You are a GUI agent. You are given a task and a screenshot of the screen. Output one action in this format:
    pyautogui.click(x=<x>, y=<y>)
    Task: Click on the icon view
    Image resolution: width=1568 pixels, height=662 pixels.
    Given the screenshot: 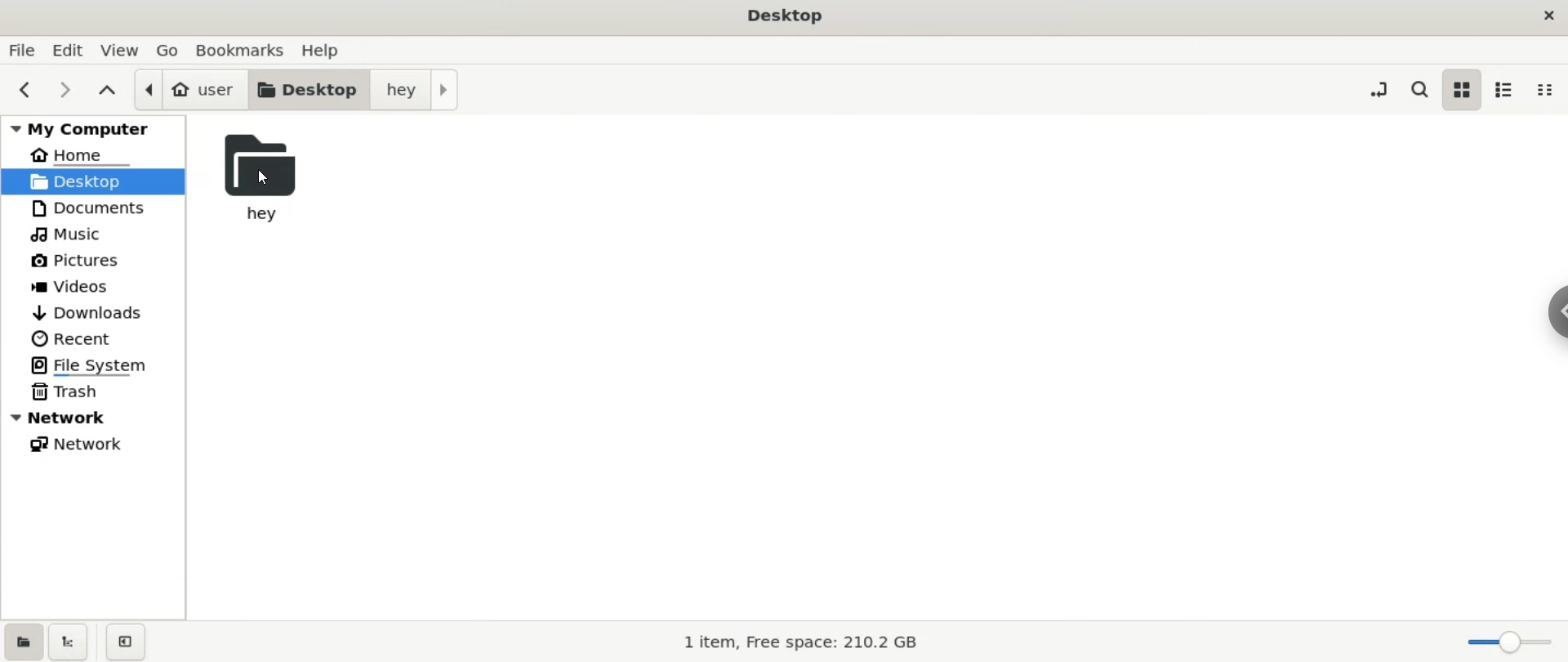 What is the action you would take?
    pyautogui.click(x=1463, y=92)
    